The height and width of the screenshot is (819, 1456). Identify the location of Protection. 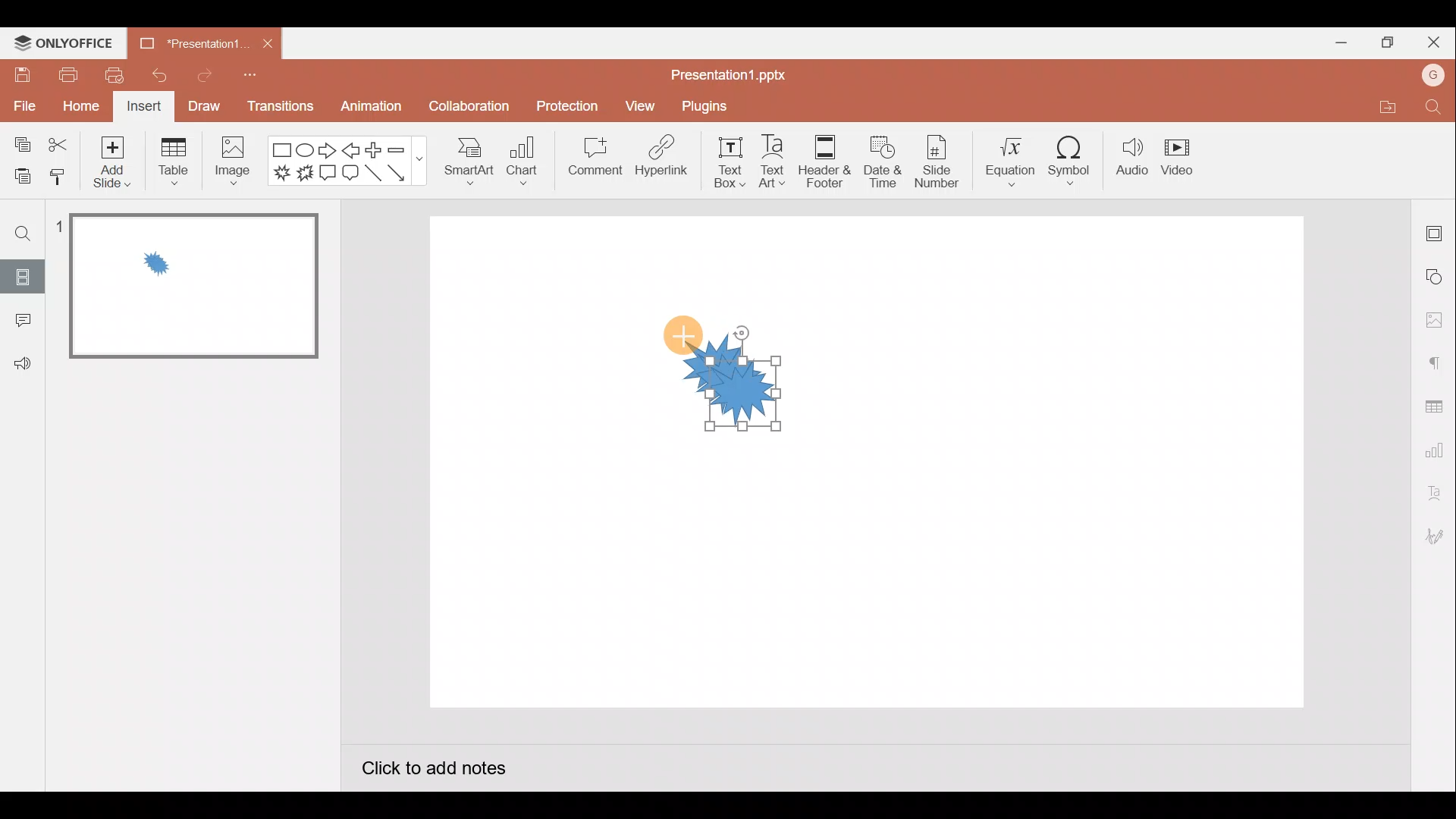
(566, 101).